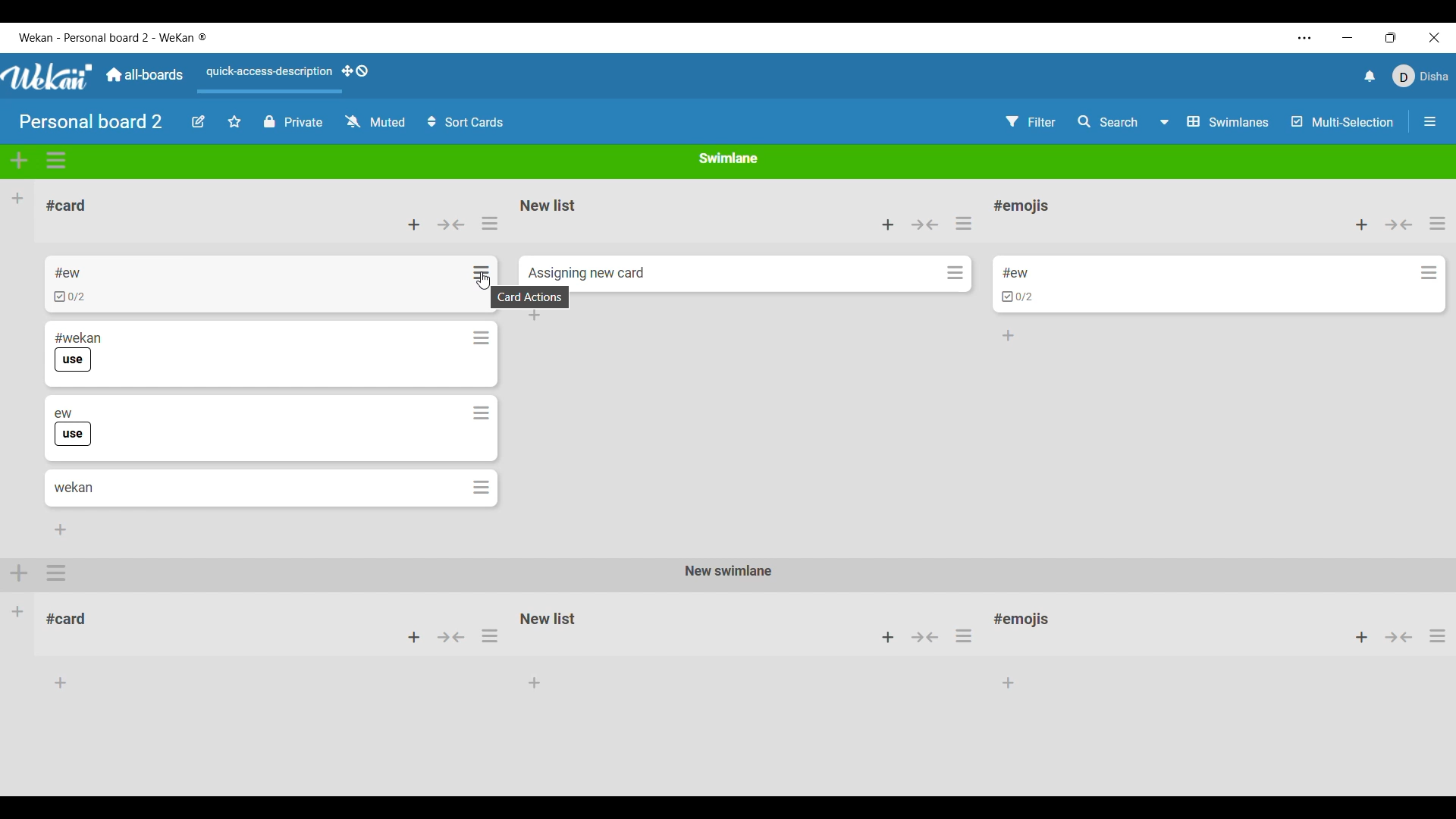  What do you see at coordinates (925, 636) in the screenshot?
I see `button` at bounding box center [925, 636].